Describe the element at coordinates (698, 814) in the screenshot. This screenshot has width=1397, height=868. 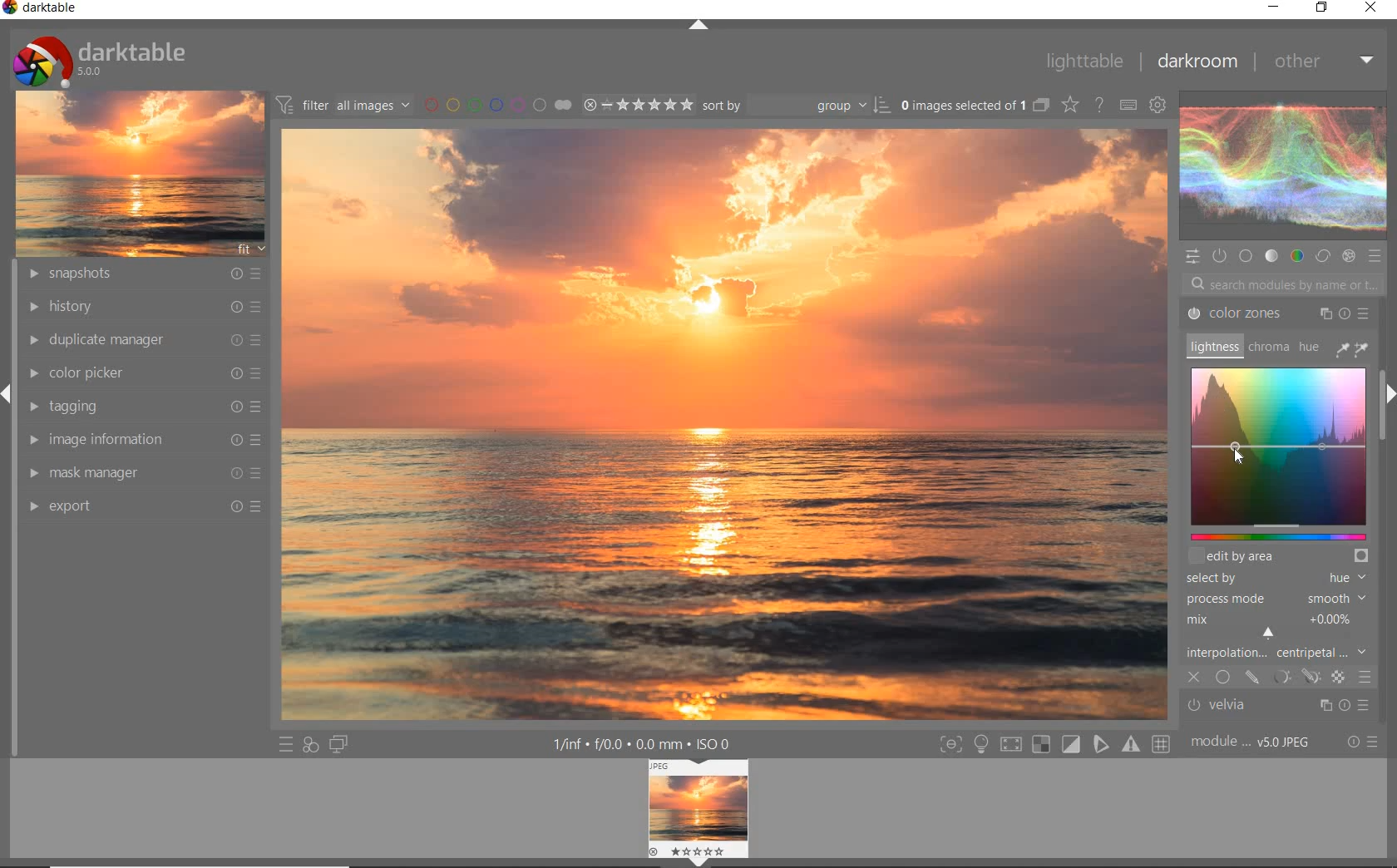
I see `IMAGE PREVIEW` at that location.